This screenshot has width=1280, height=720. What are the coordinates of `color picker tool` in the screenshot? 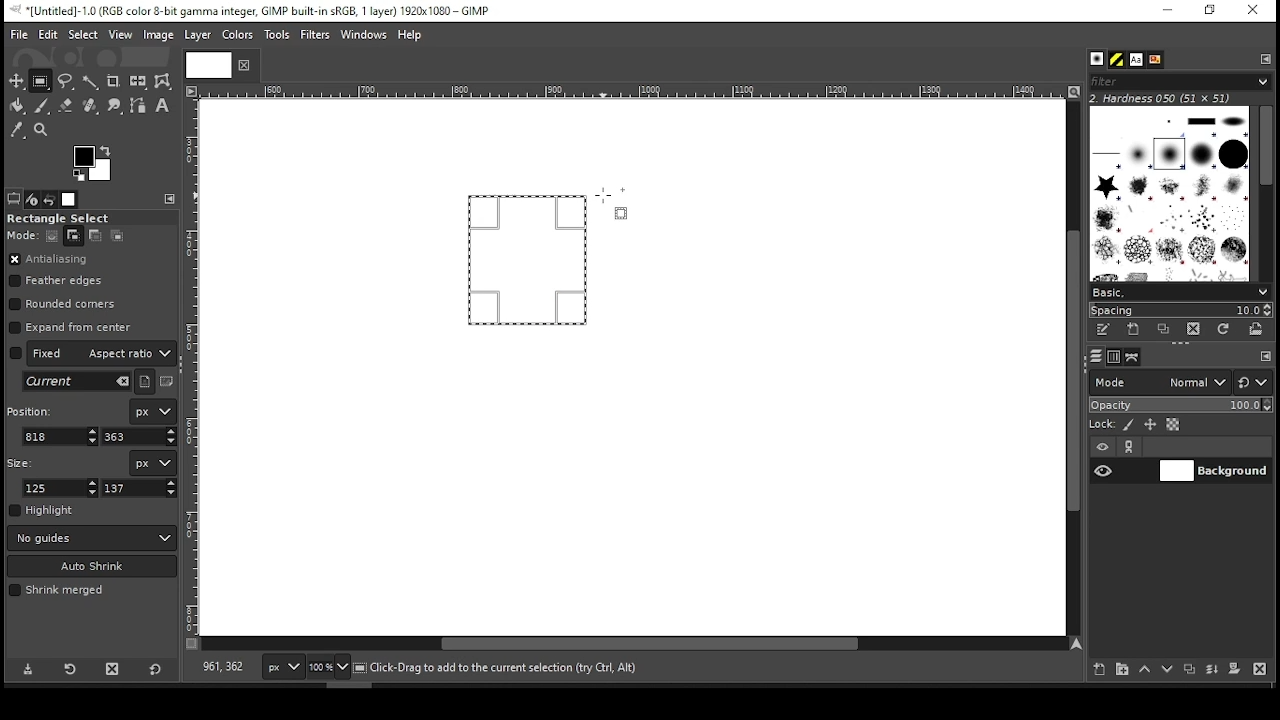 It's located at (16, 132).